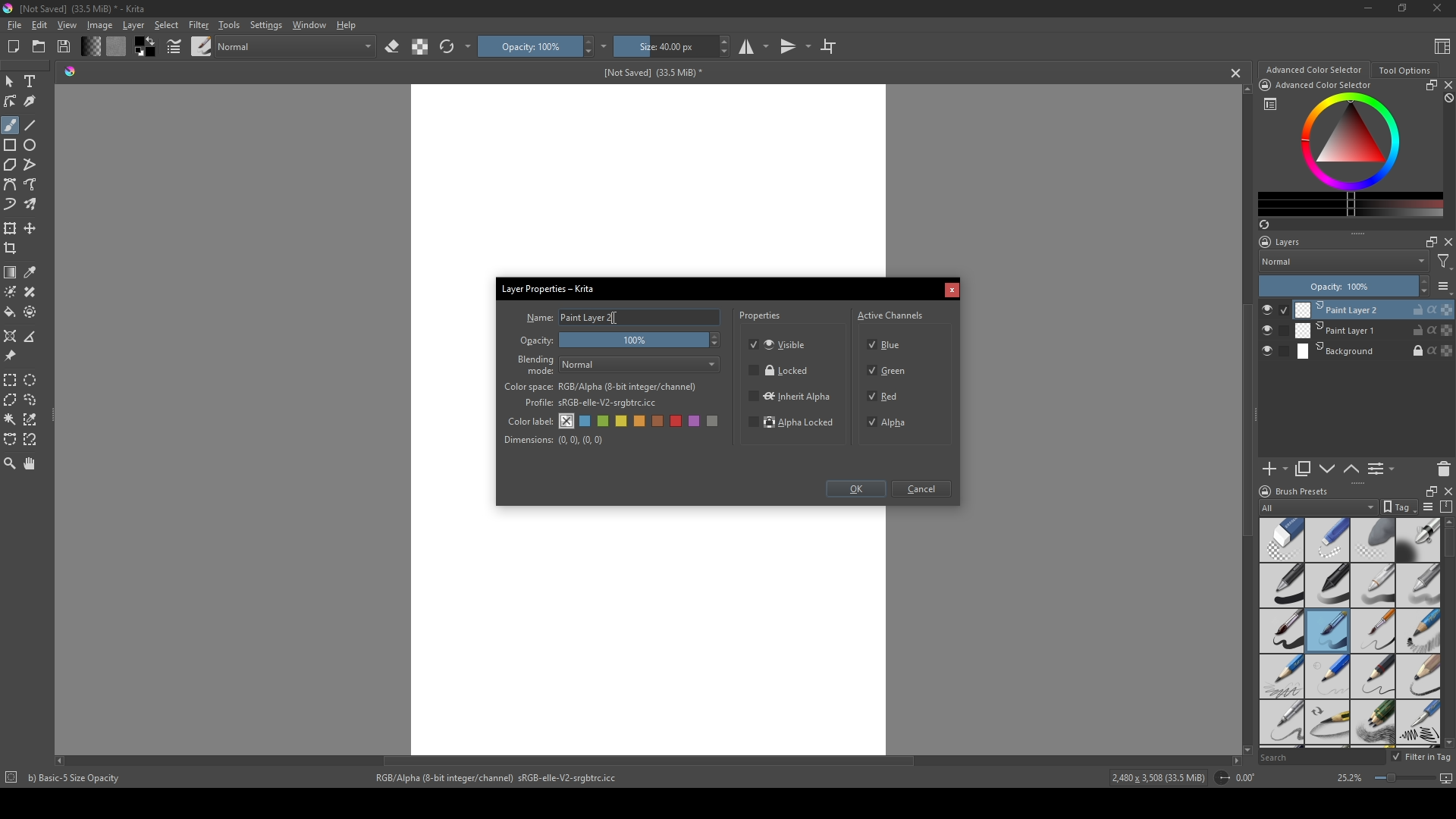 This screenshot has height=819, width=1456. What do you see at coordinates (1373, 632) in the screenshot?
I see `thin brush` at bounding box center [1373, 632].